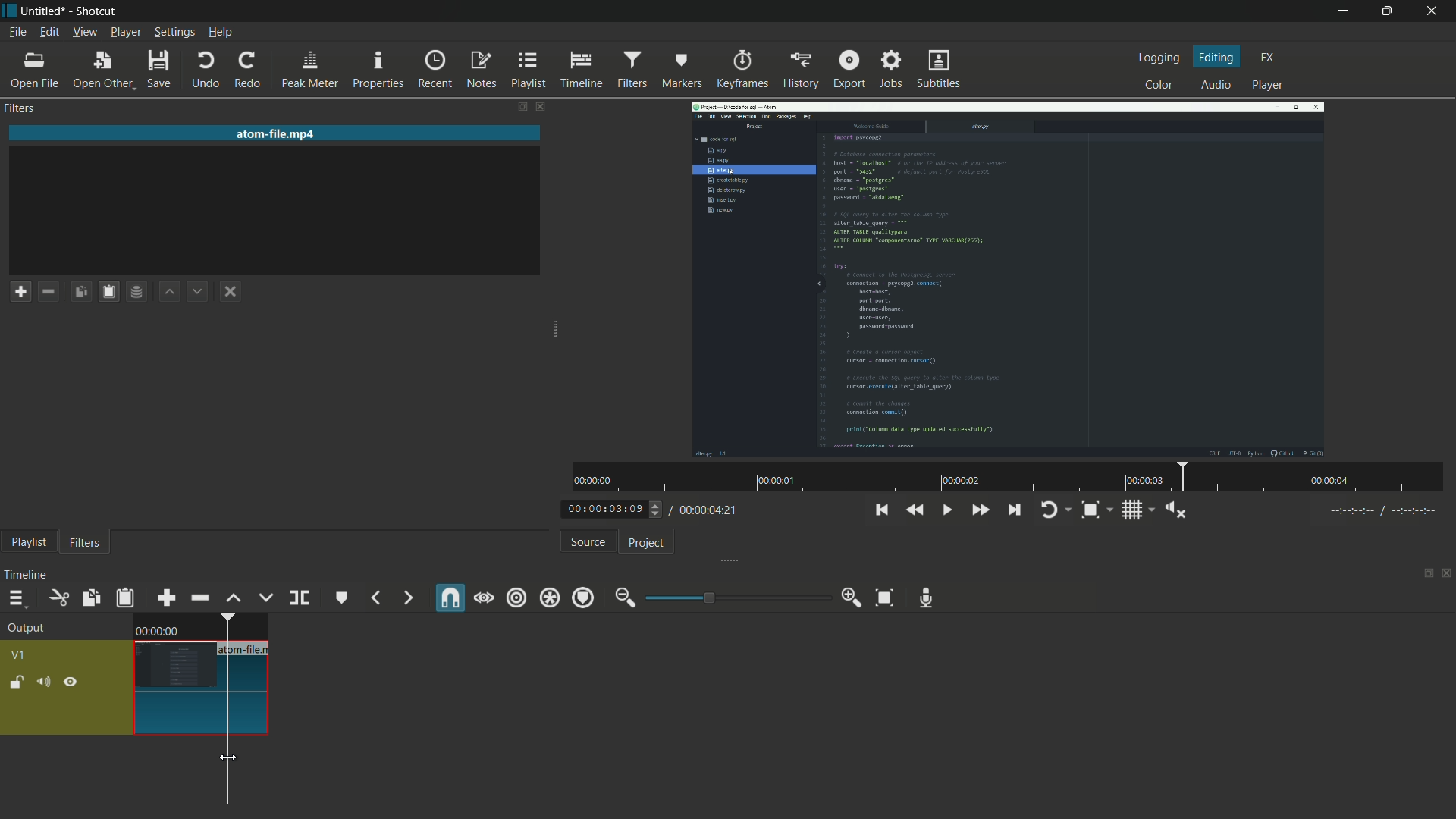 This screenshot has width=1456, height=819. Describe the element at coordinates (10, 14) in the screenshot. I see `app icon` at that location.